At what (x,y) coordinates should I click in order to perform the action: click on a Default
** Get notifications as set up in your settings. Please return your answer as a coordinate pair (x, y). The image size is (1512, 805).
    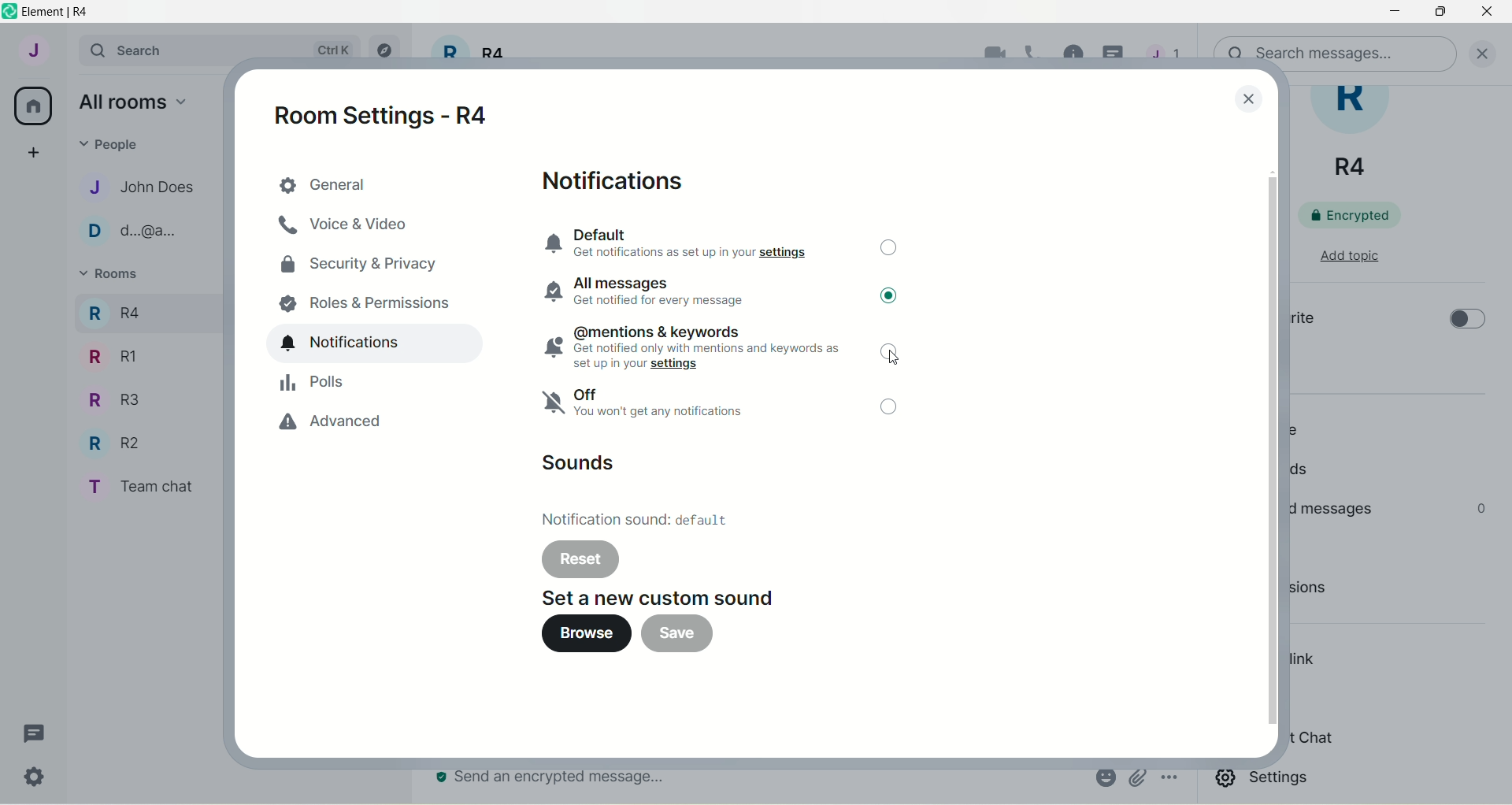
    Looking at the image, I should click on (688, 243).